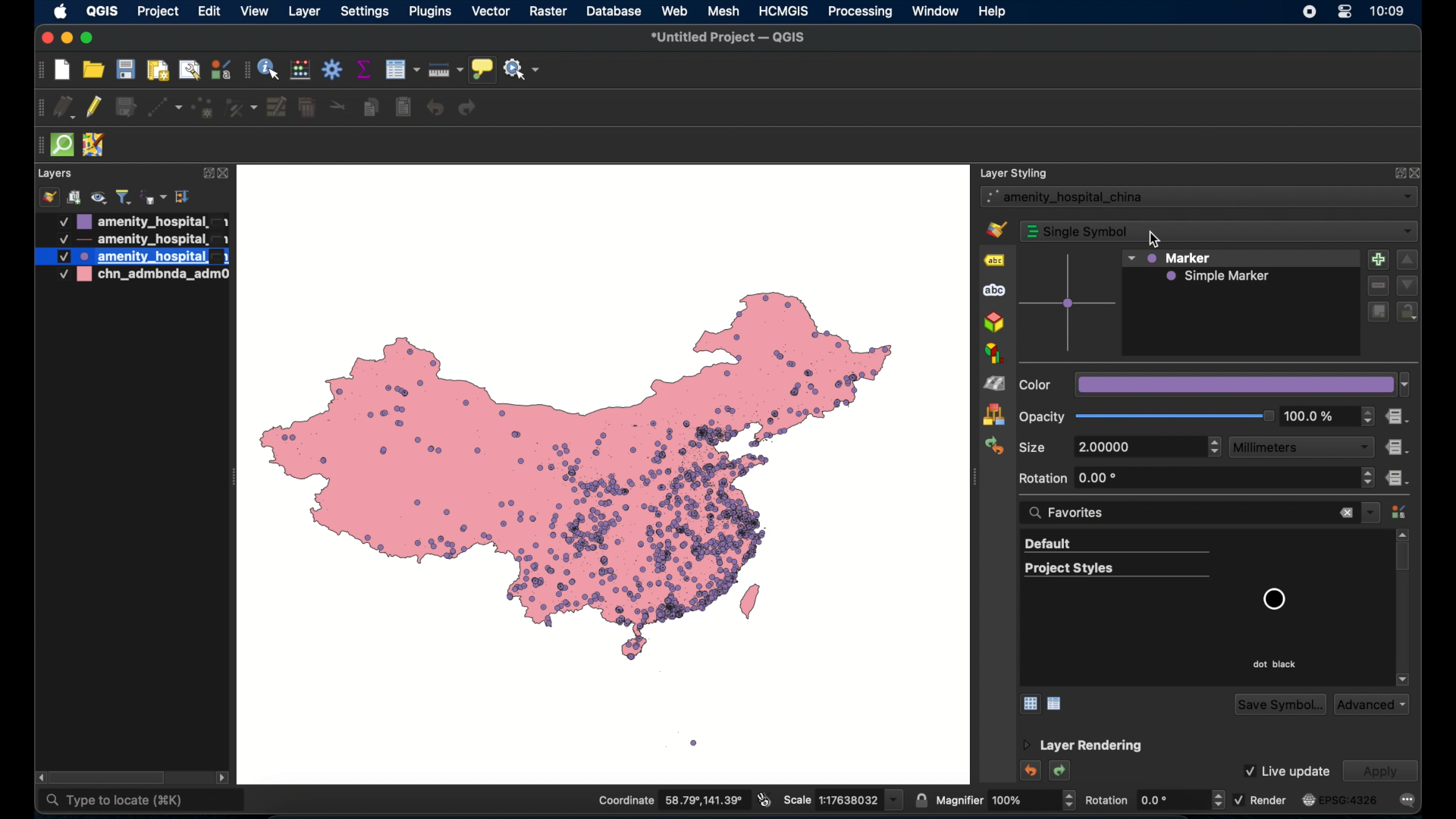 This screenshot has width=1456, height=819. Describe the element at coordinates (1402, 679) in the screenshot. I see `scroll down` at that location.